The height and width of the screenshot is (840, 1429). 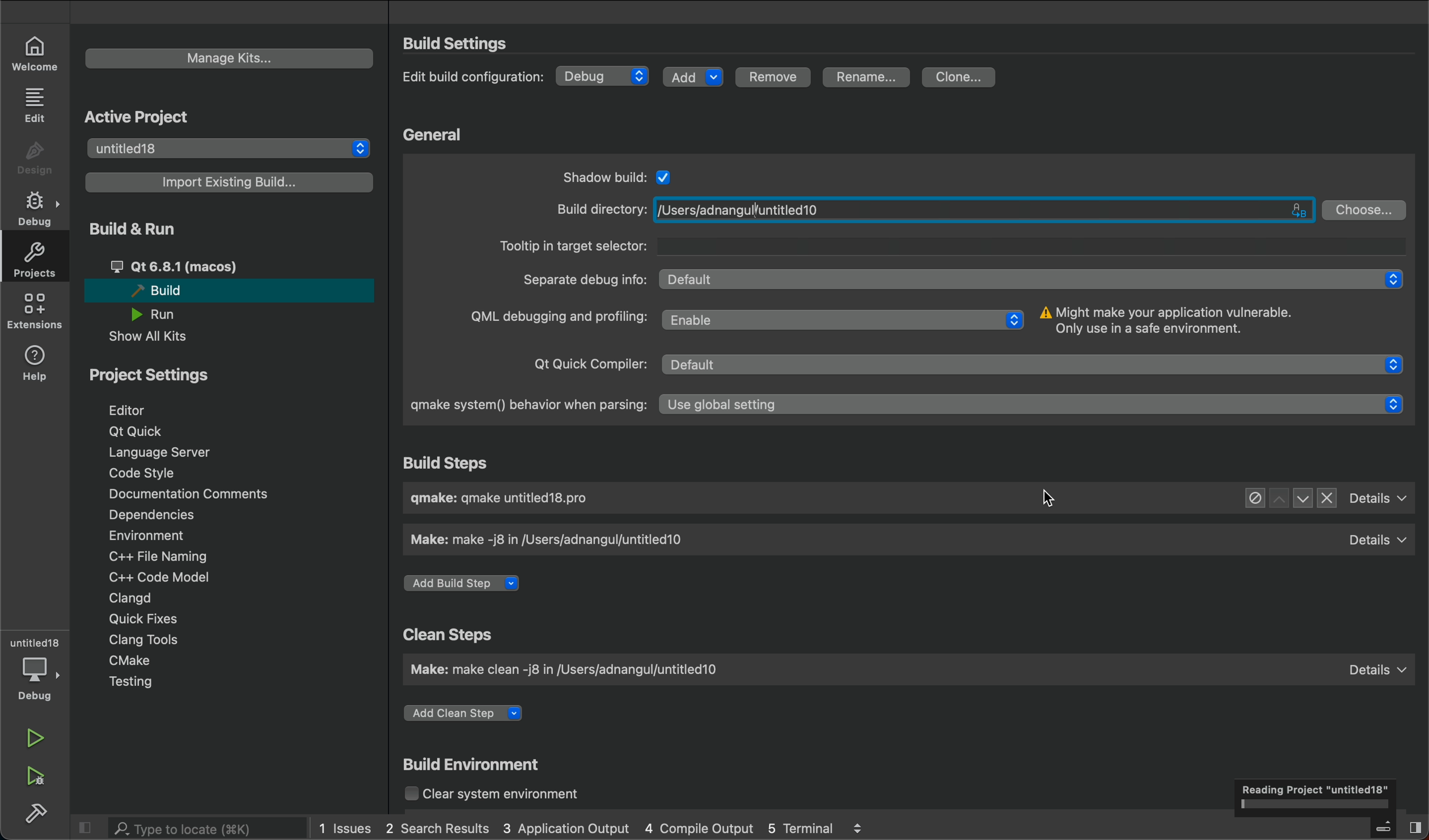 What do you see at coordinates (867, 78) in the screenshot?
I see `Rename...` at bounding box center [867, 78].